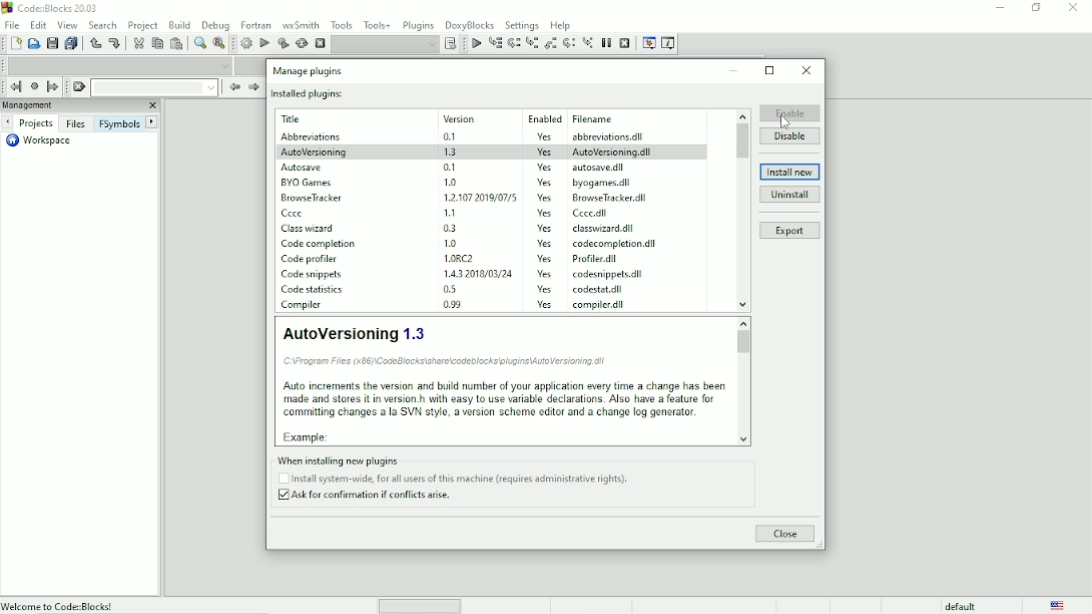  What do you see at coordinates (41, 141) in the screenshot?
I see `Workspace` at bounding box center [41, 141].